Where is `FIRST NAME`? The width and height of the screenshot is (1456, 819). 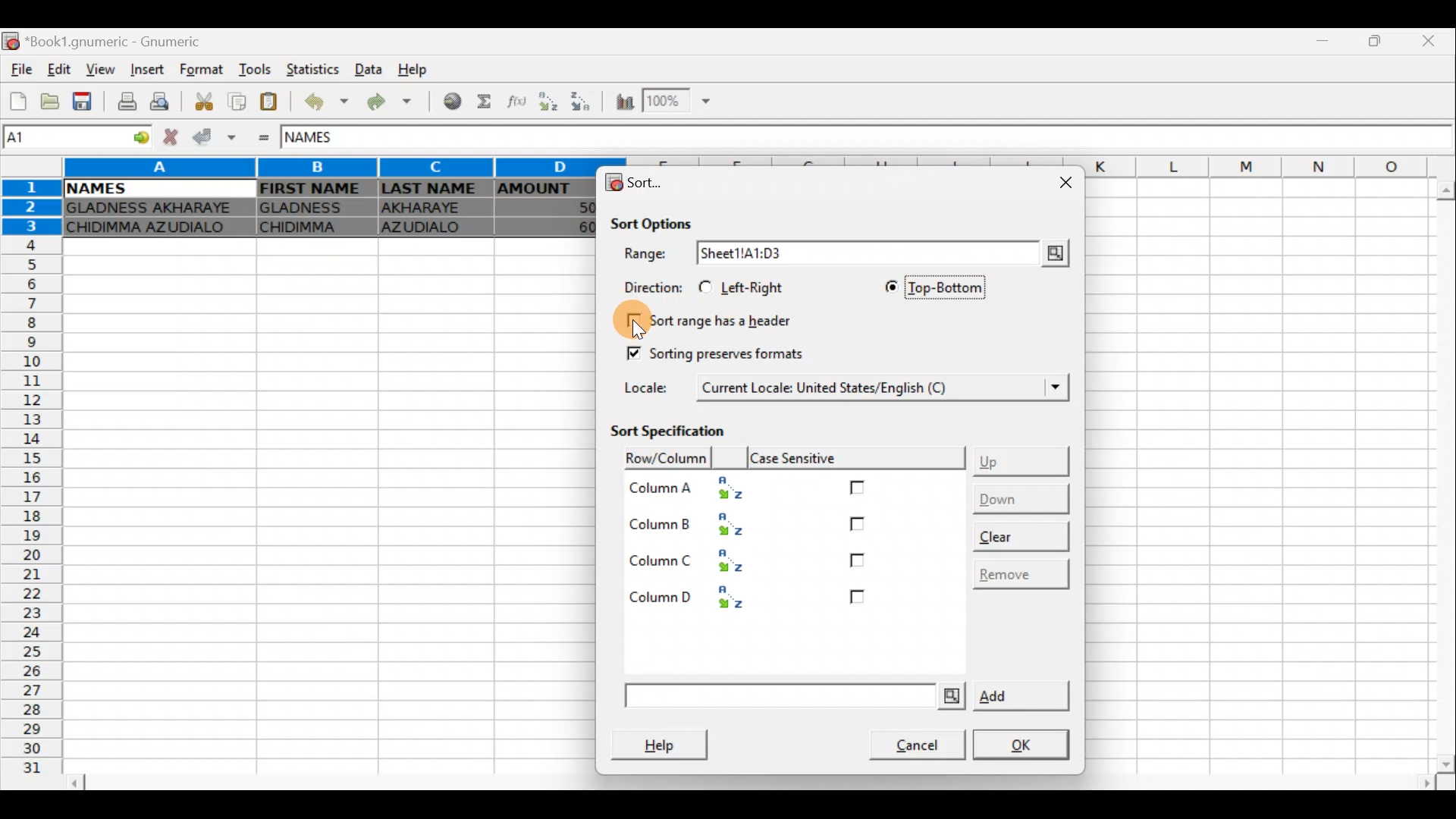 FIRST NAME is located at coordinates (312, 188).